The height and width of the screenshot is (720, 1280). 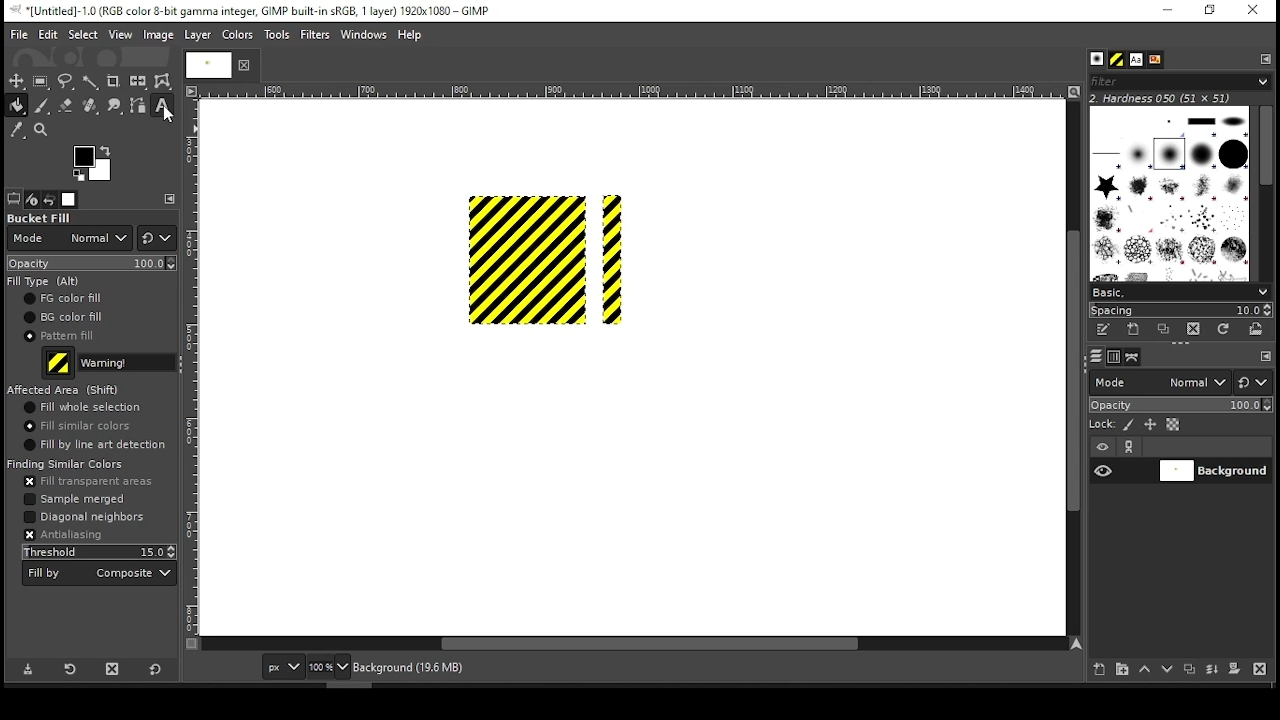 I want to click on move layer one step down, so click(x=1168, y=671).